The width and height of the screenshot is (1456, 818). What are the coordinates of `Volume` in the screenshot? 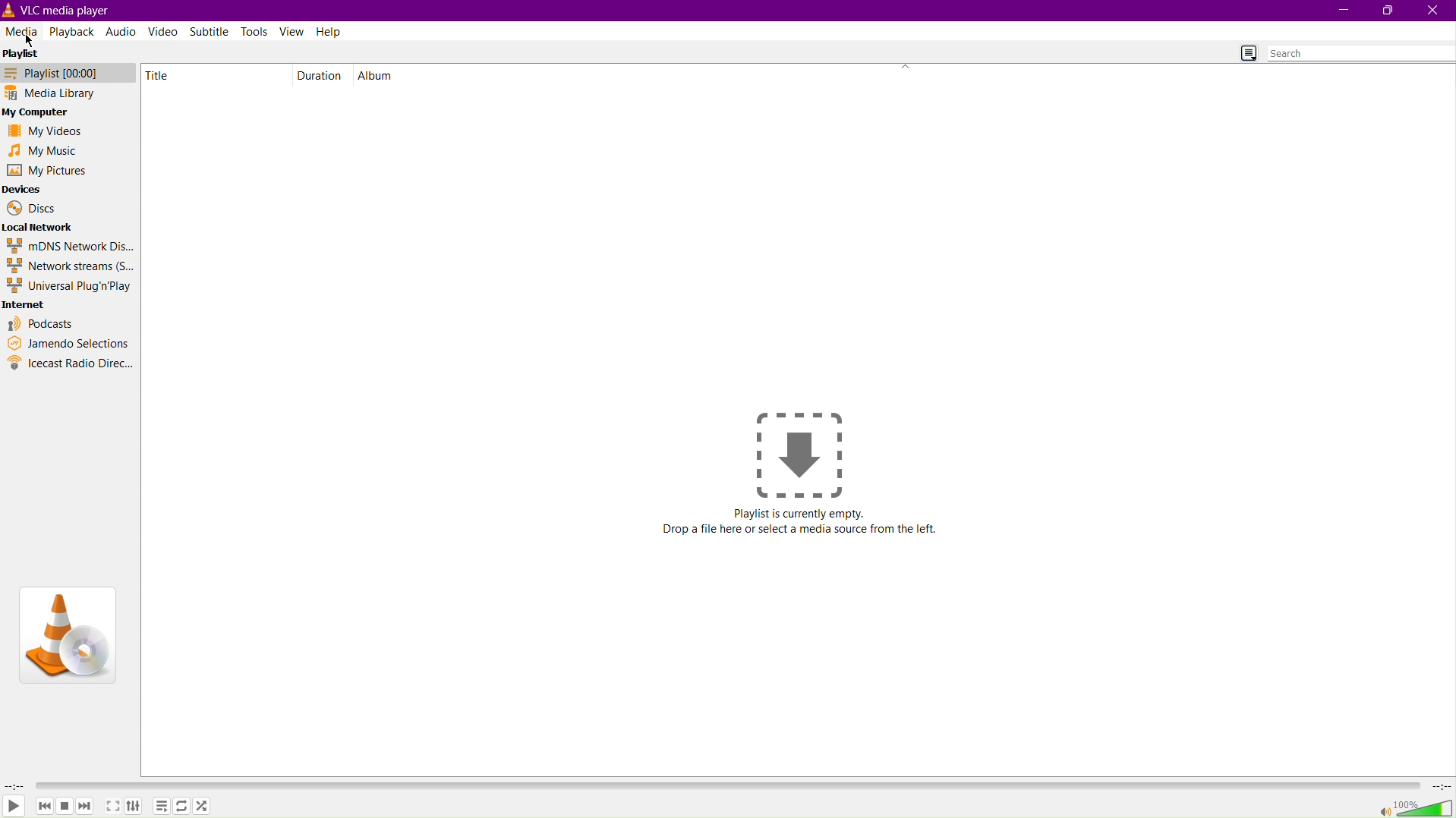 It's located at (1412, 807).